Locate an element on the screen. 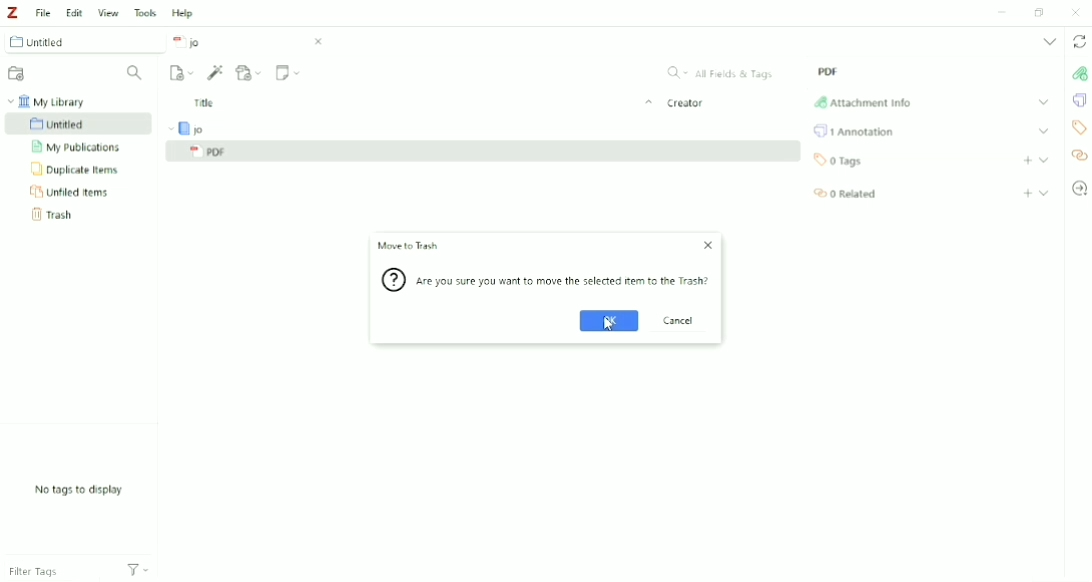  Related is located at coordinates (1078, 157).